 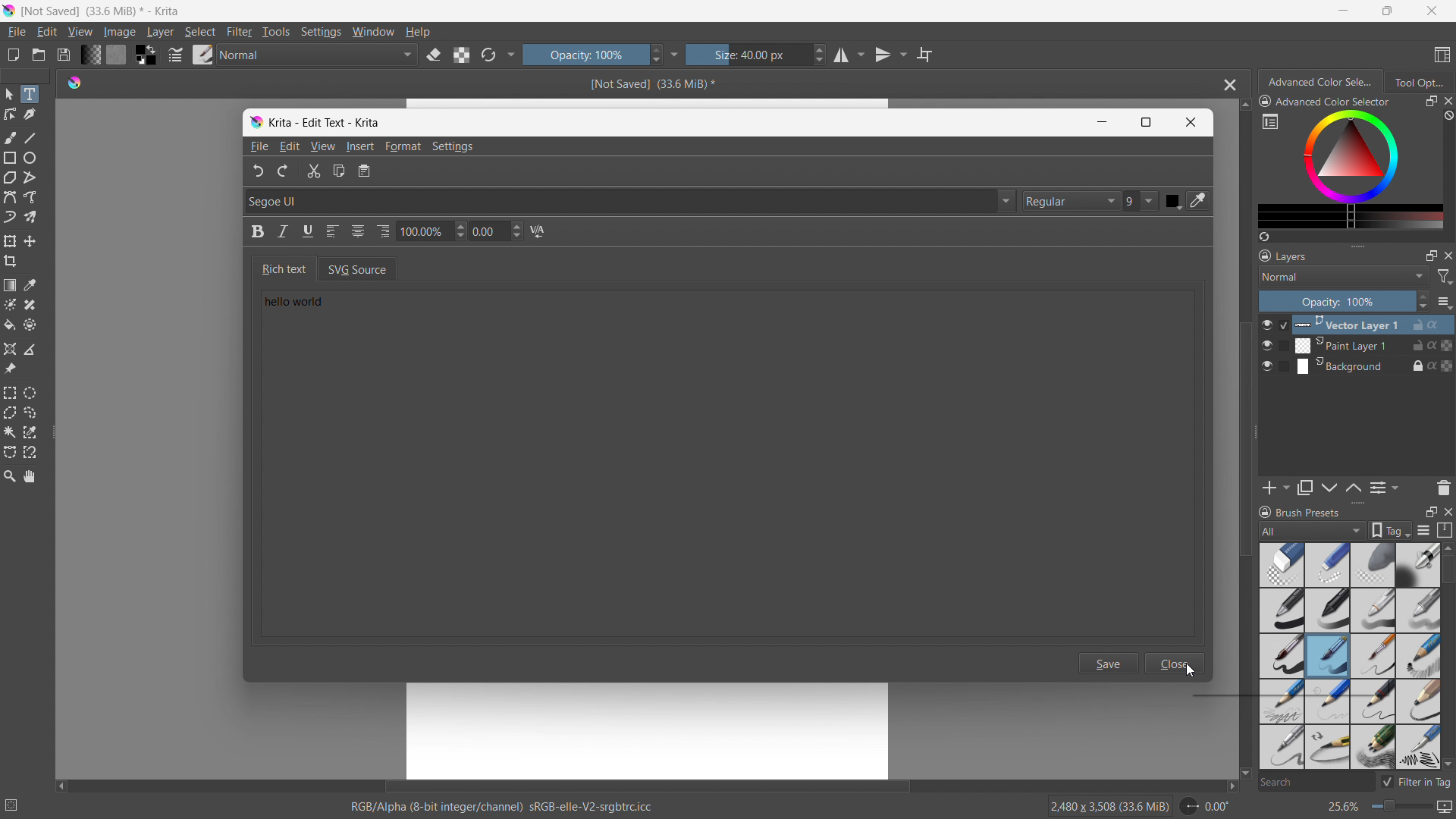 What do you see at coordinates (1192, 673) in the screenshot?
I see `cursor` at bounding box center [1192, 673].